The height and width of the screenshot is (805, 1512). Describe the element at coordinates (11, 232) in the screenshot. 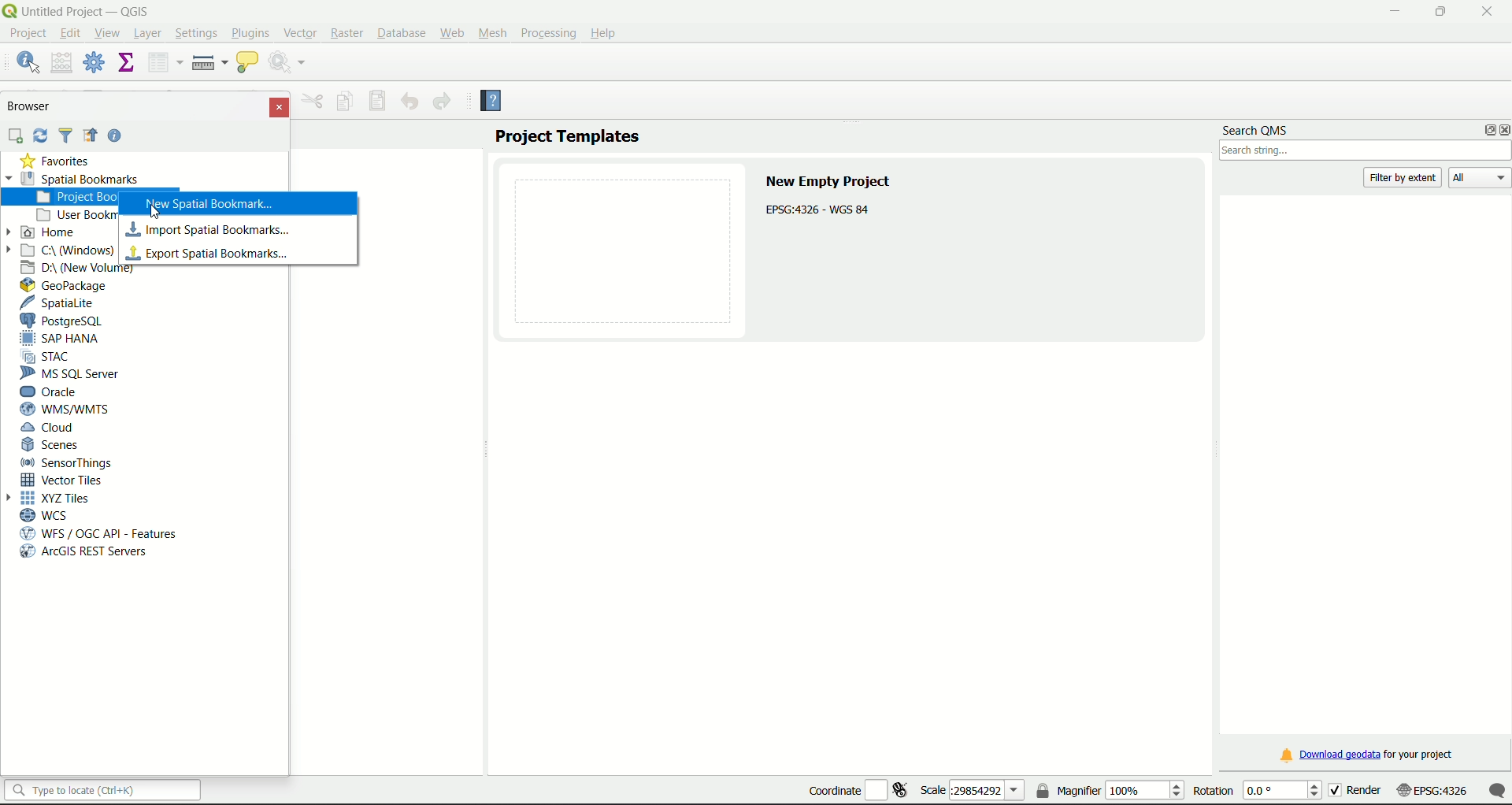

I see `Arrow` at that location.